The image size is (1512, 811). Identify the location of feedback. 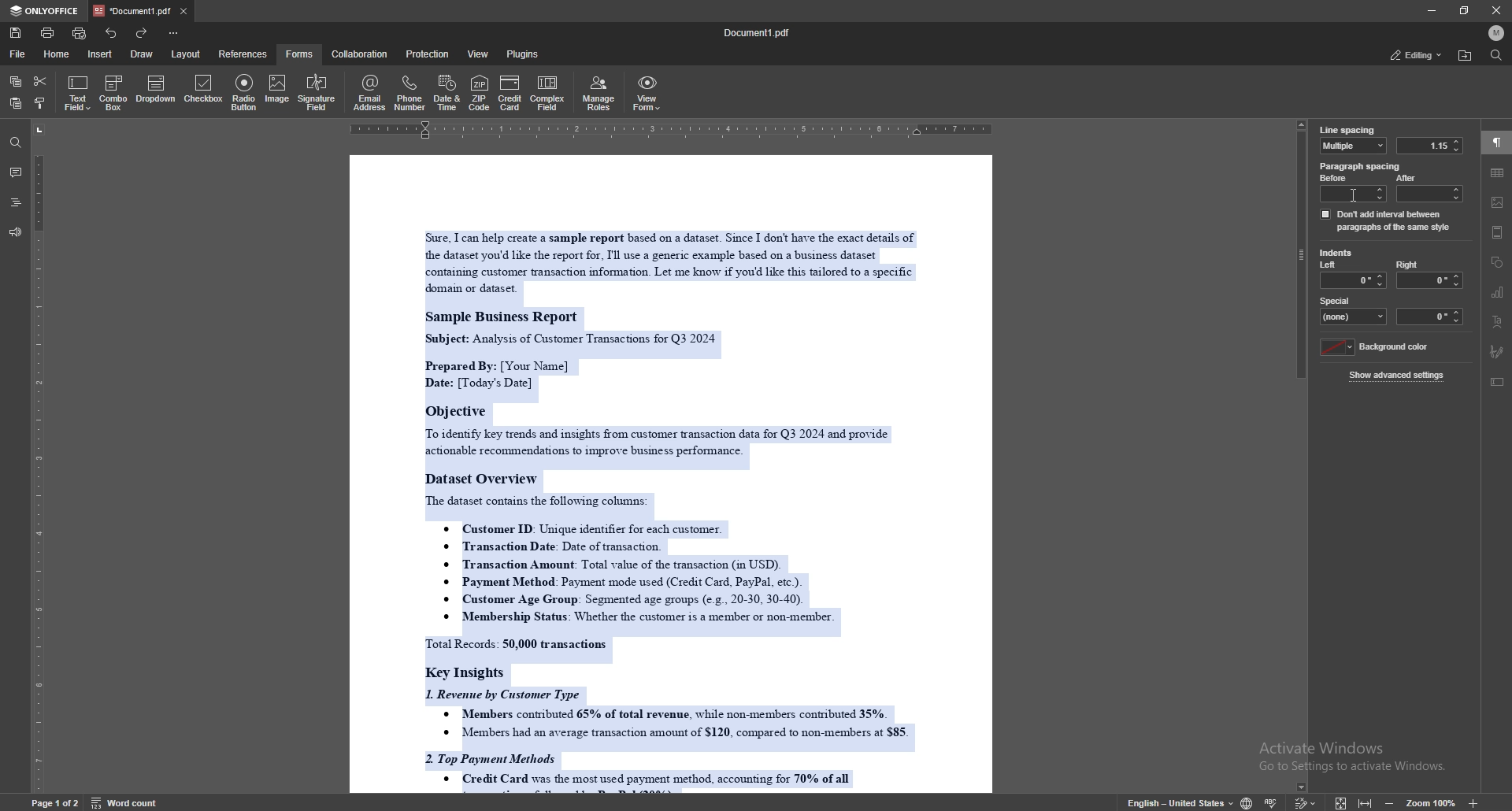
(15, 233).